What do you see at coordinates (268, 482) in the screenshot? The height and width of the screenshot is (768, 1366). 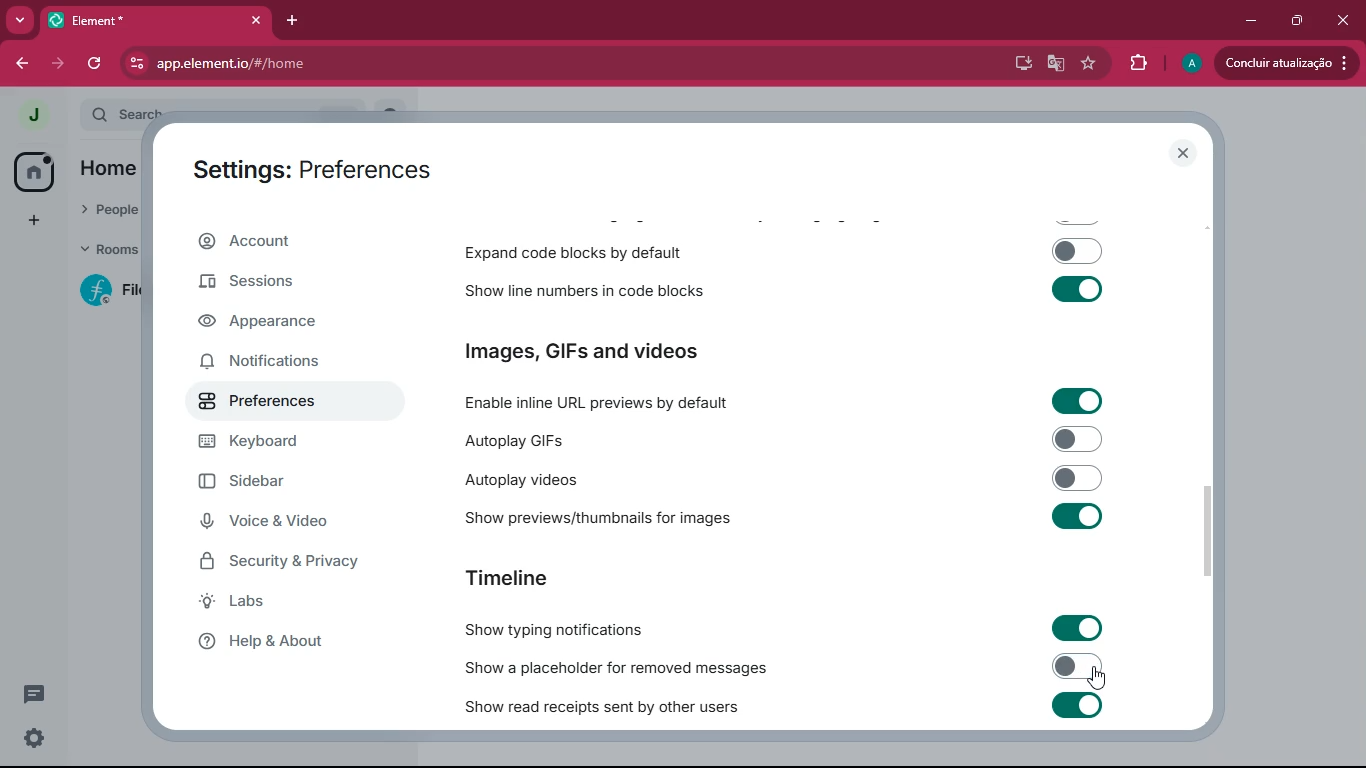 I see `sidebar` at bounding box center [268, 482].